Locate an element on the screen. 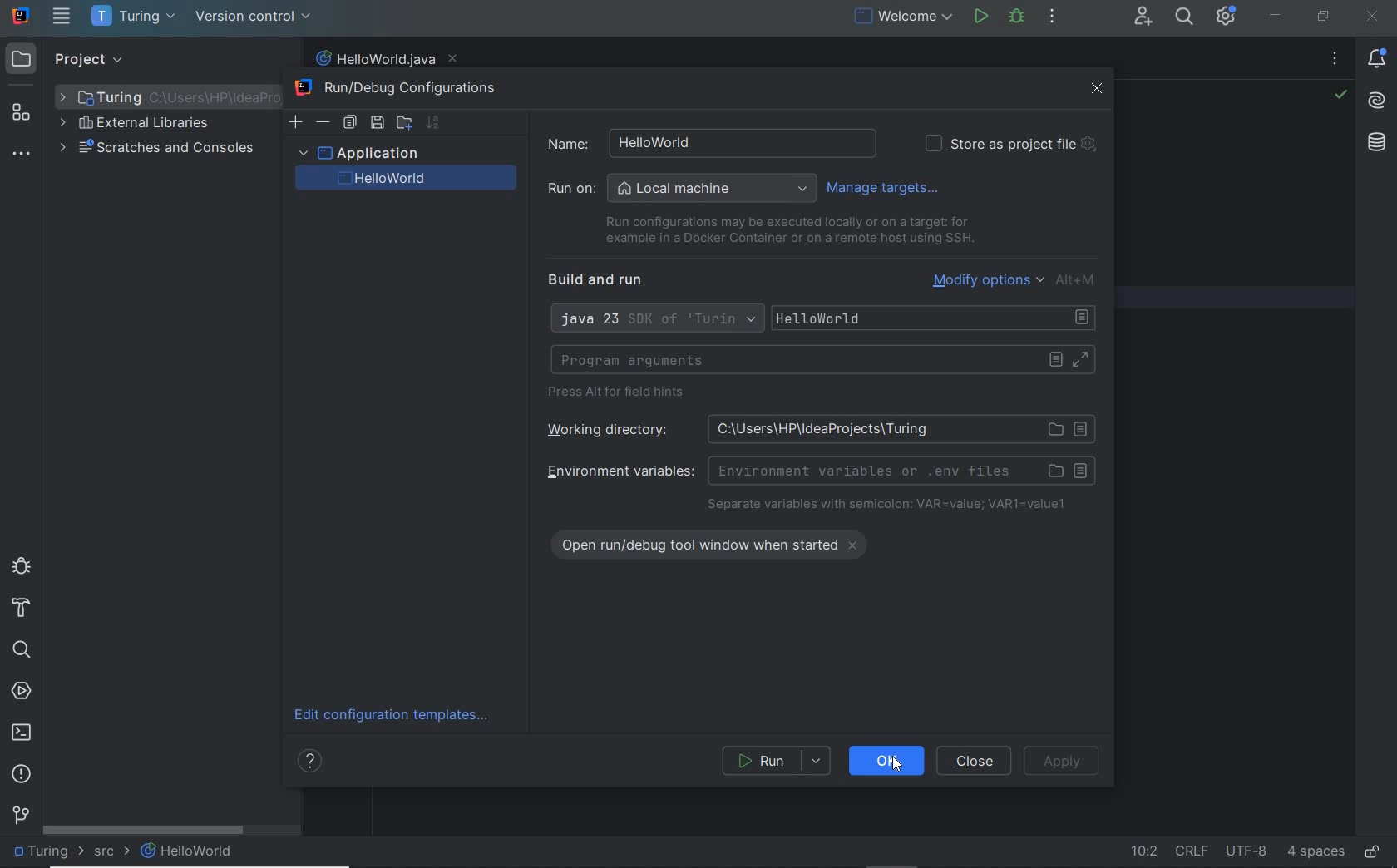 This screenshot has height=868, width=1397. cursor is located at coordinates (892, 762).